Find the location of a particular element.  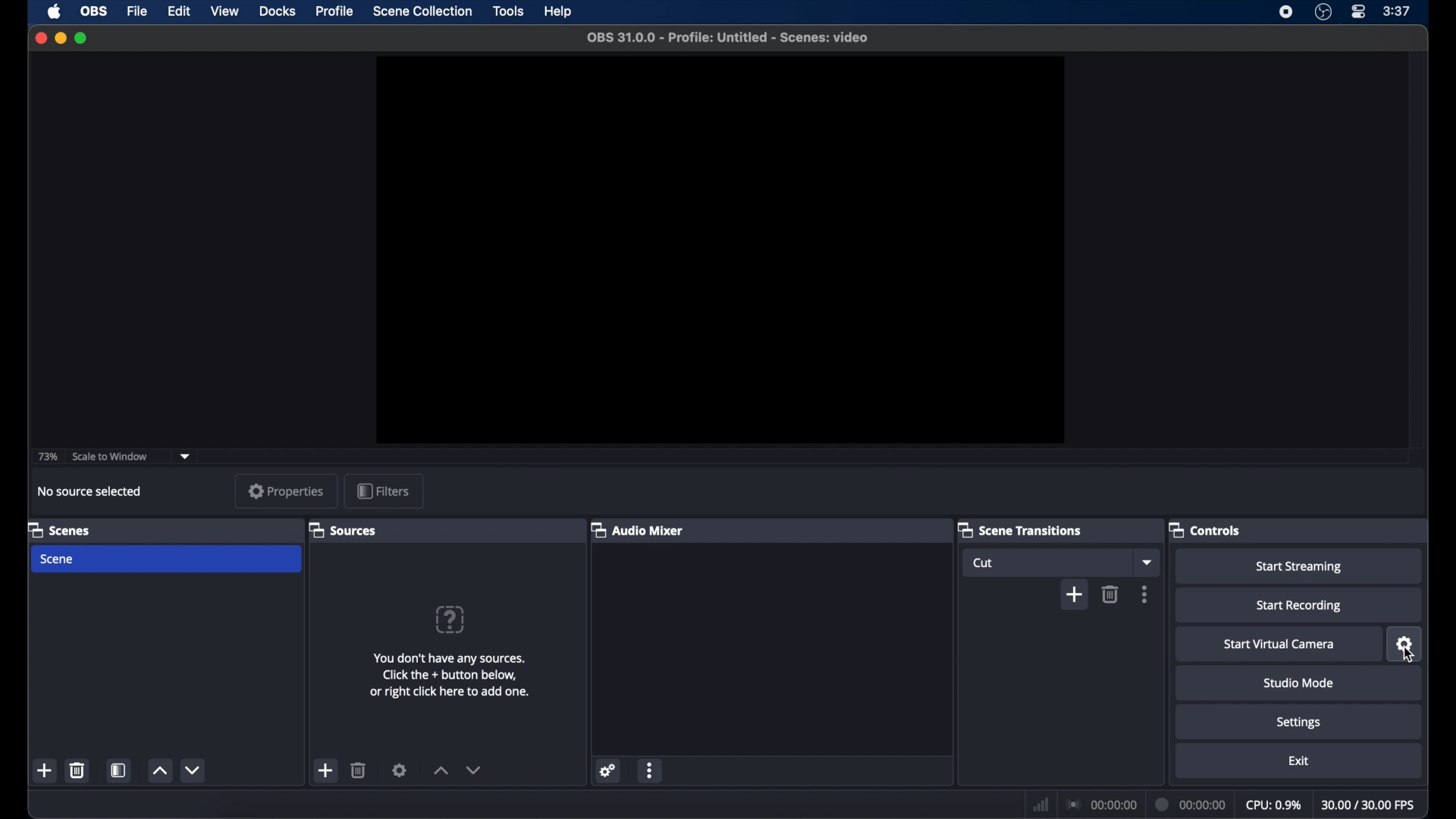

more options is located at coordinates (650, 770).